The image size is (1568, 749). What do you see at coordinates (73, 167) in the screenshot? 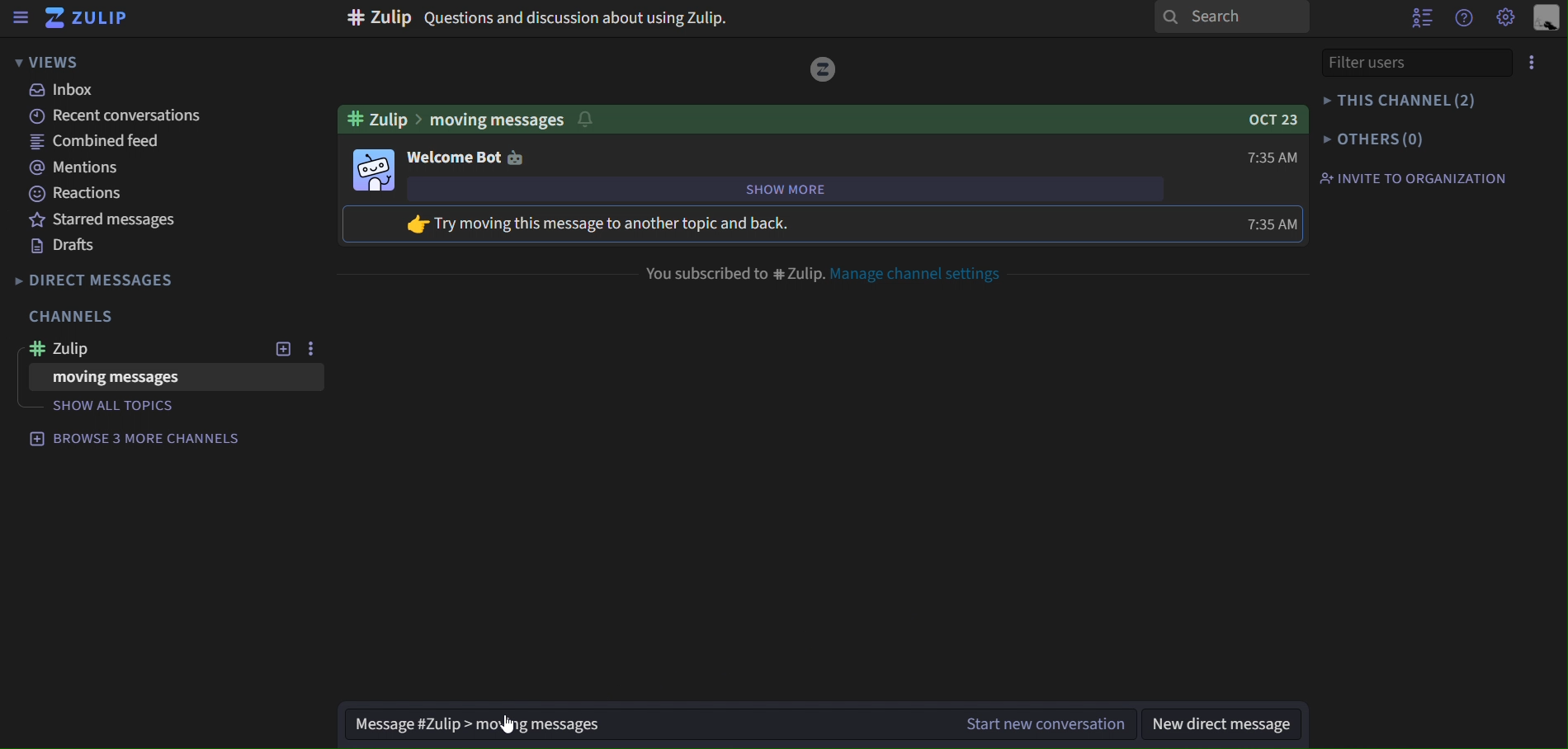
I see `mentions` at bounding box center [73, 167].